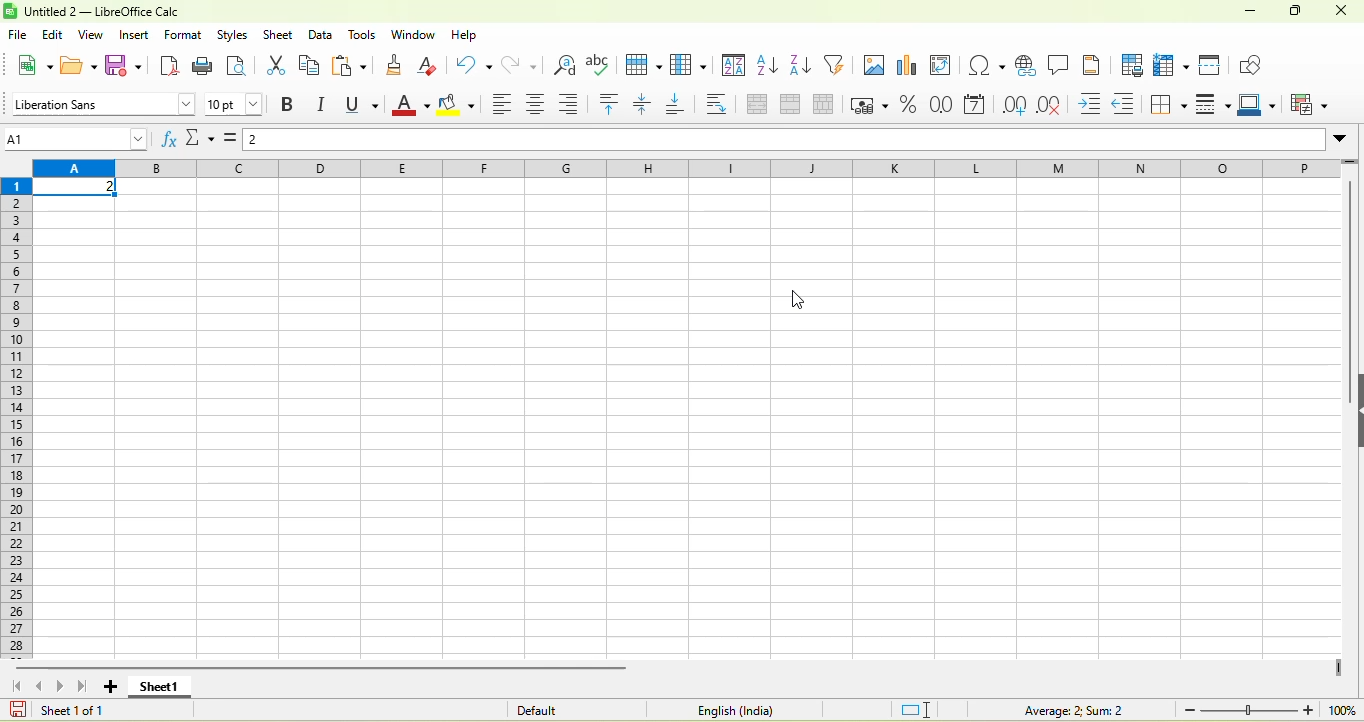  What do you see at coordinates (64, 709) in the screenshot?
I see `sheet 1 0f 1` at bounding box center [64, 709].